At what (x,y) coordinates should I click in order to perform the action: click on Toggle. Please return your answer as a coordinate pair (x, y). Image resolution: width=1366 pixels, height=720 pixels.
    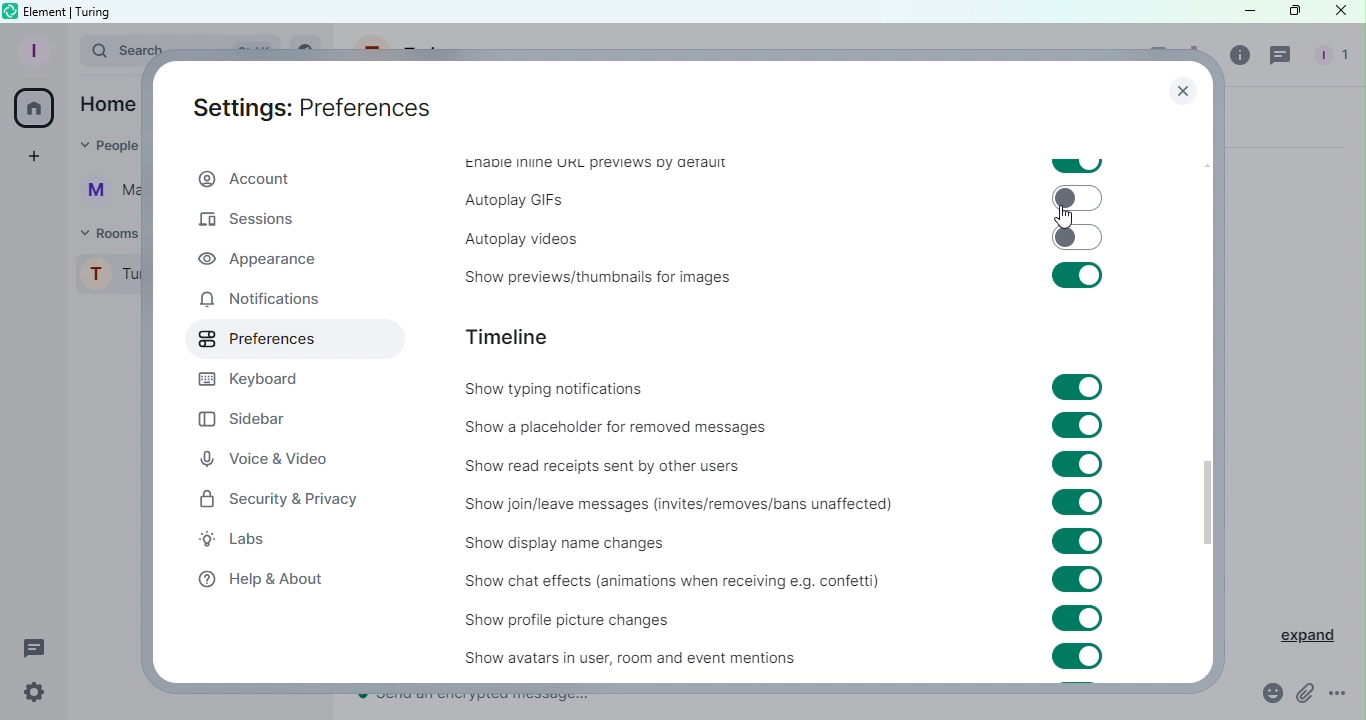
    Looking at the image, I should click on (1079, 388).